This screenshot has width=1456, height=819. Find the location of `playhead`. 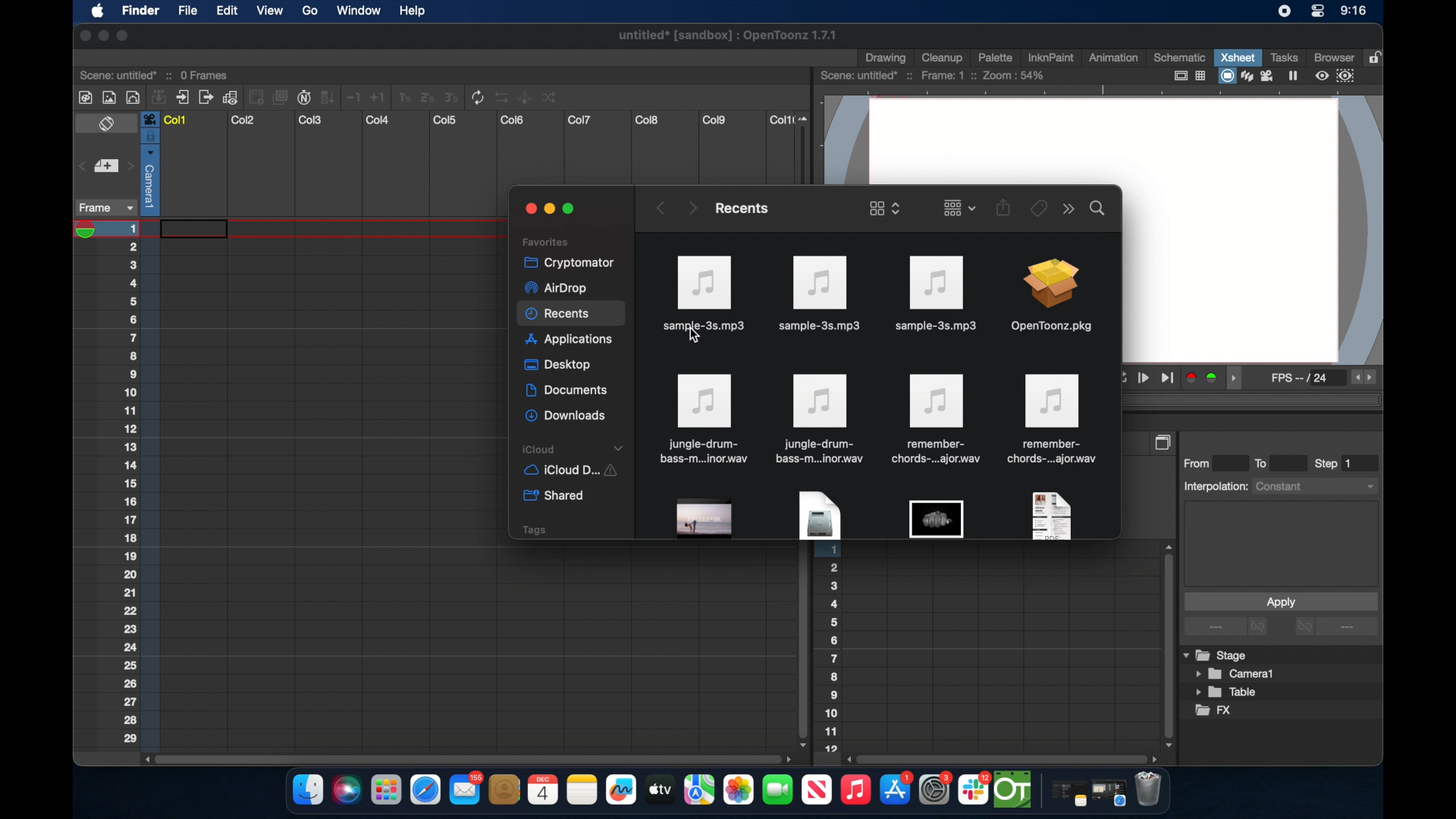

playhead is located at coordinates (90, 230).